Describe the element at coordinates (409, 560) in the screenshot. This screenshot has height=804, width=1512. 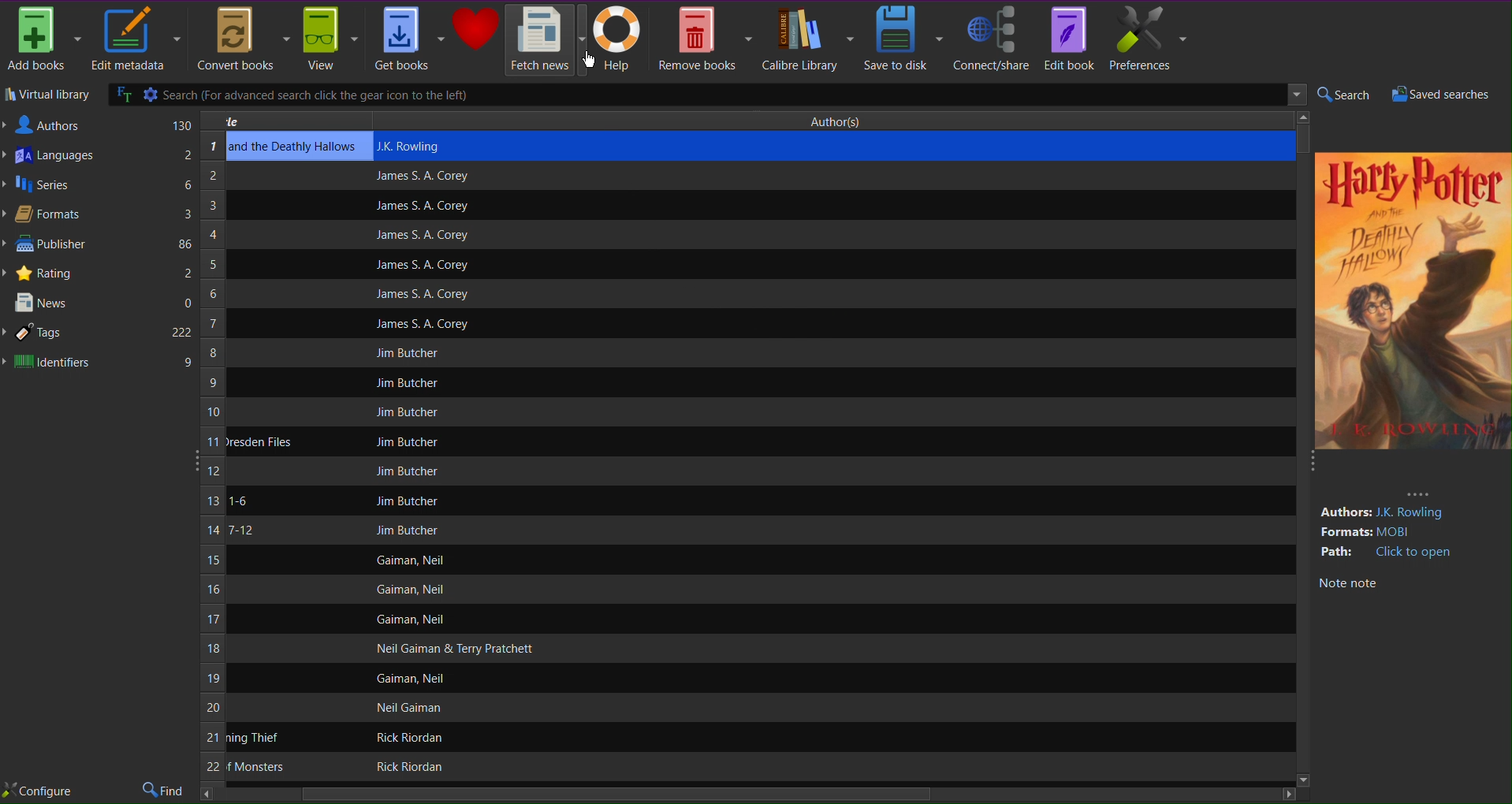
I see `Gaiman, Neil` at that location.